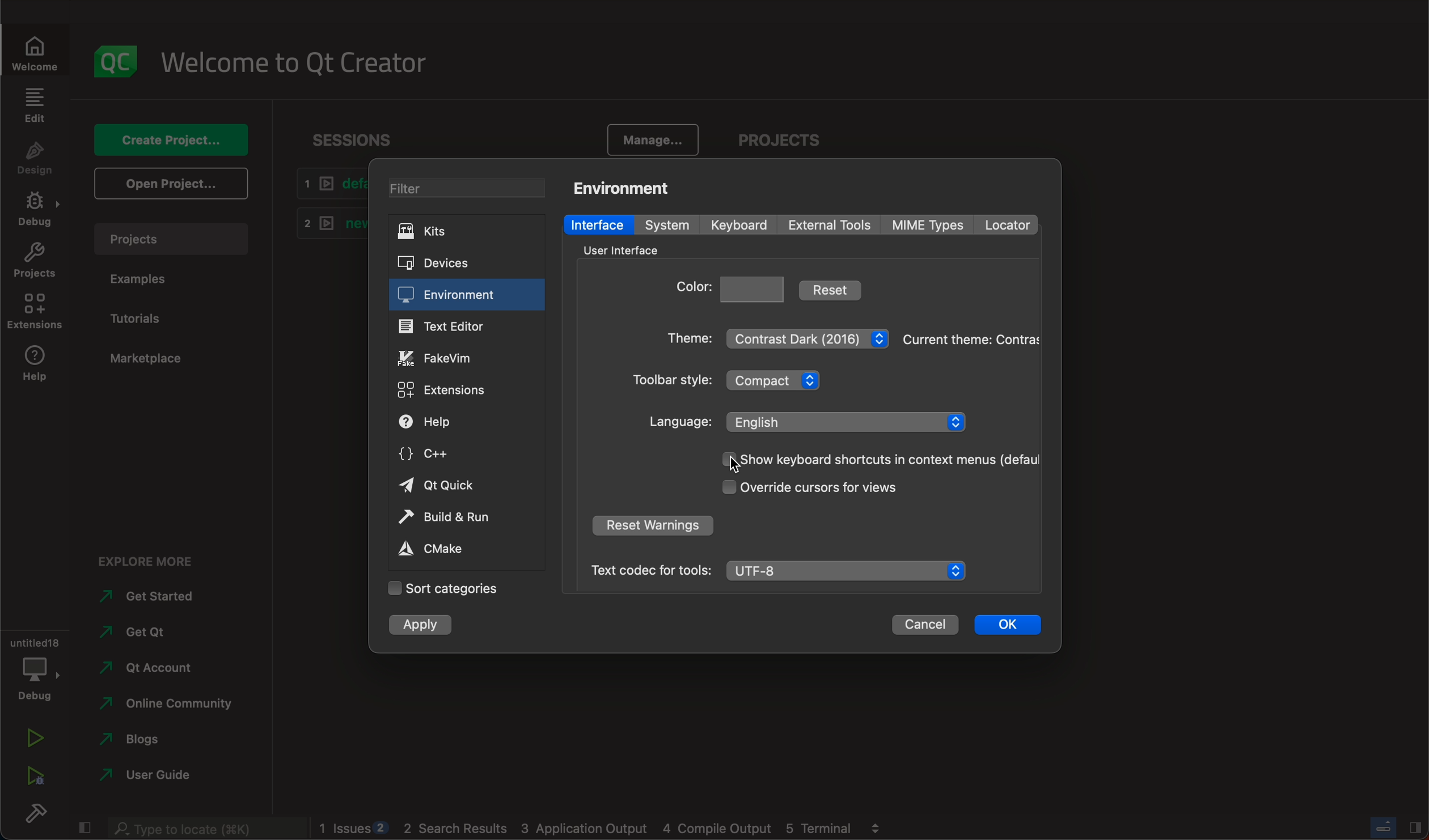  I want to click on , so click(202, 829).